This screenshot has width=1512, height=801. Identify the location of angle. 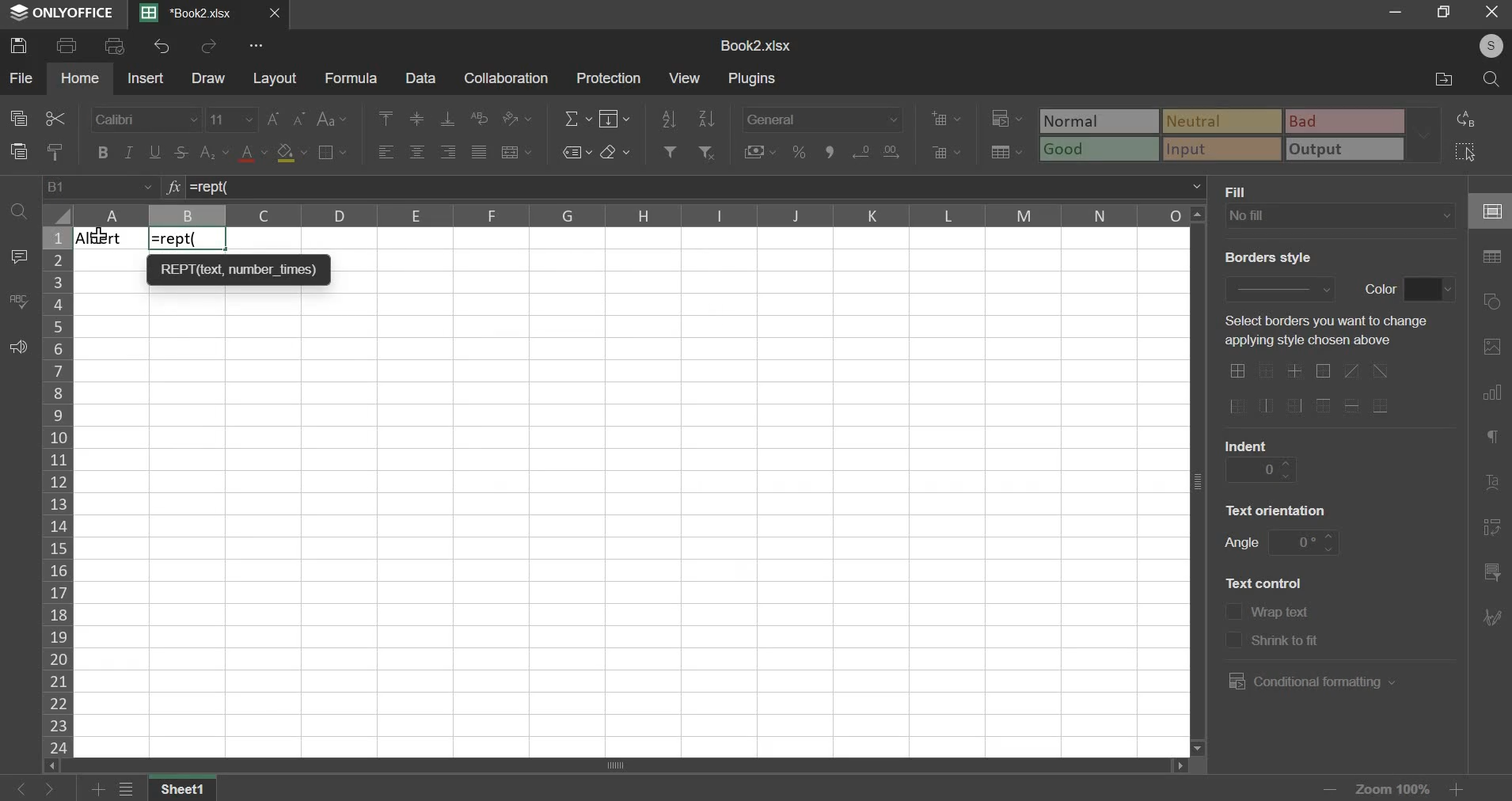
(1305, 544).